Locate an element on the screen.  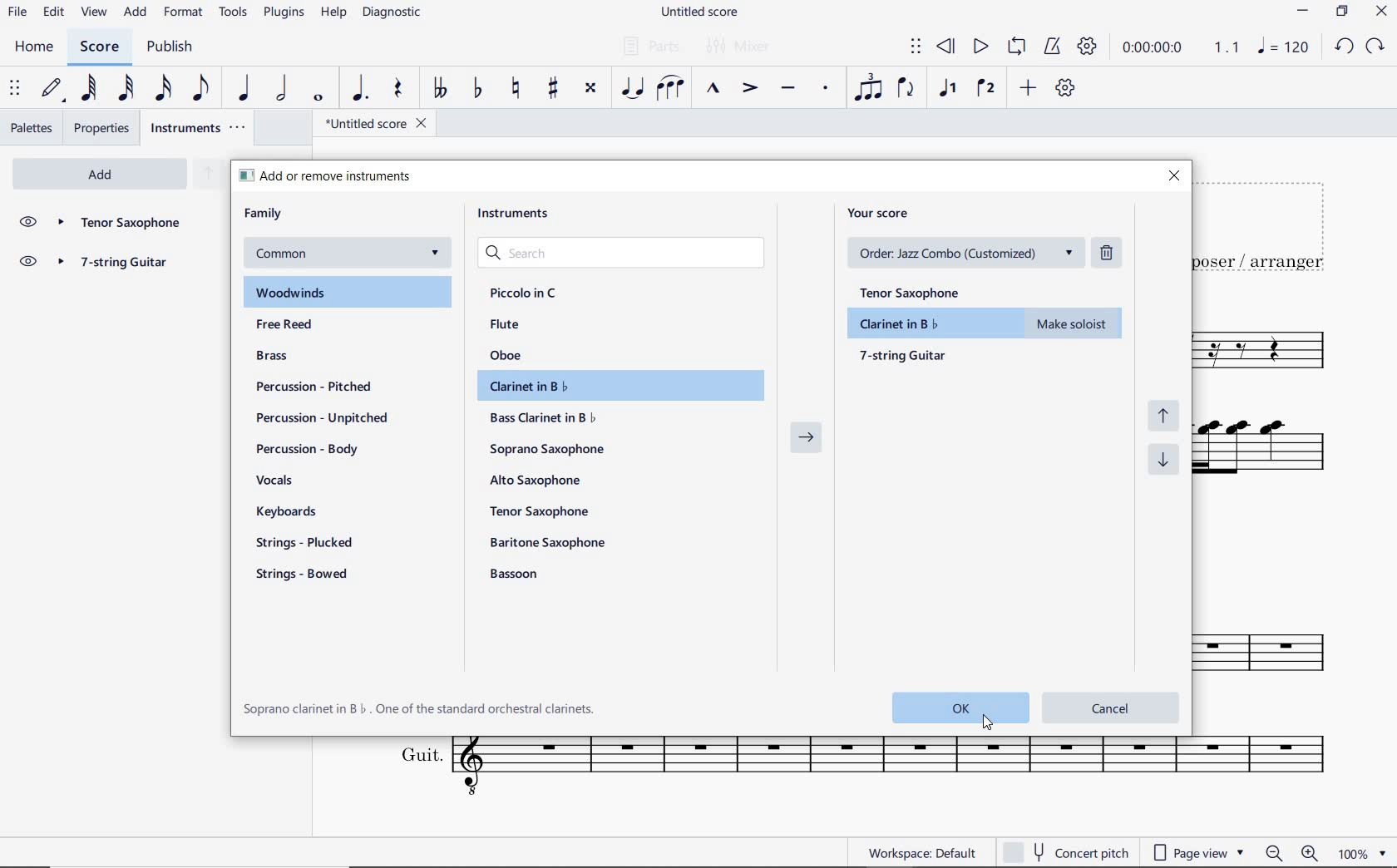
TITLE is located at coordinates (1268, 225).